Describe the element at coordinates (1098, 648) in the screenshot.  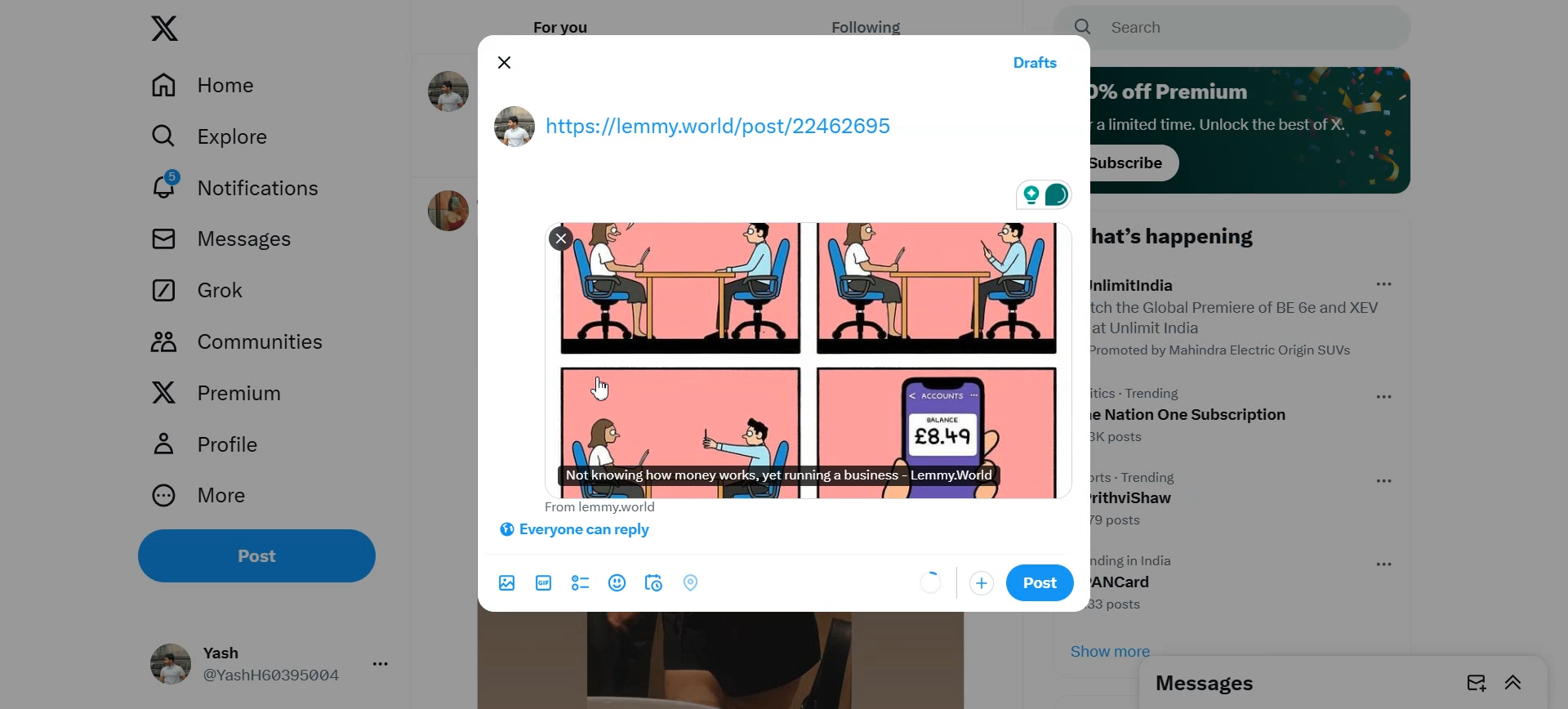
I see `show more info` at that location.